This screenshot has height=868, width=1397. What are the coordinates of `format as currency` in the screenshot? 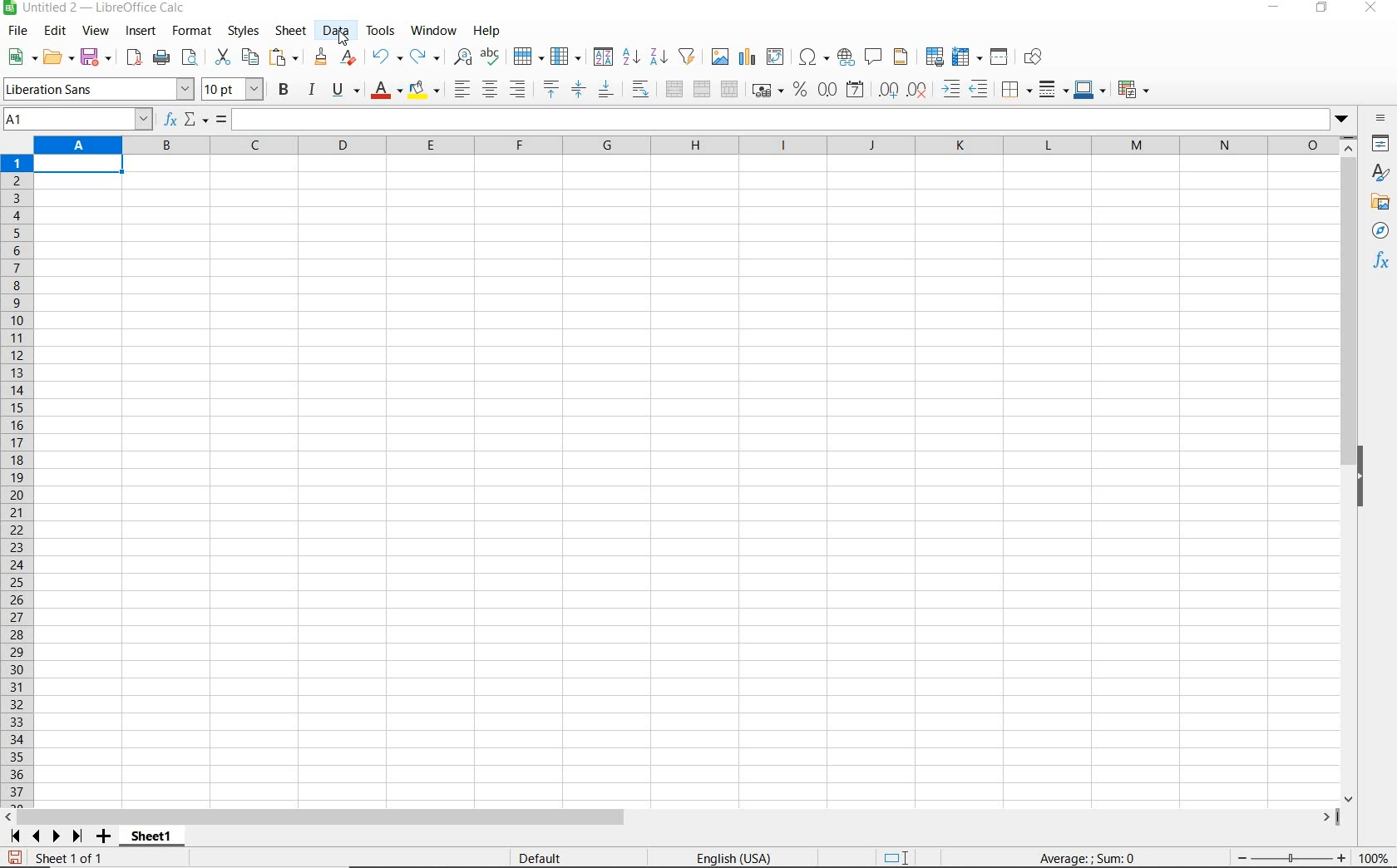 It's located at (767, 88).